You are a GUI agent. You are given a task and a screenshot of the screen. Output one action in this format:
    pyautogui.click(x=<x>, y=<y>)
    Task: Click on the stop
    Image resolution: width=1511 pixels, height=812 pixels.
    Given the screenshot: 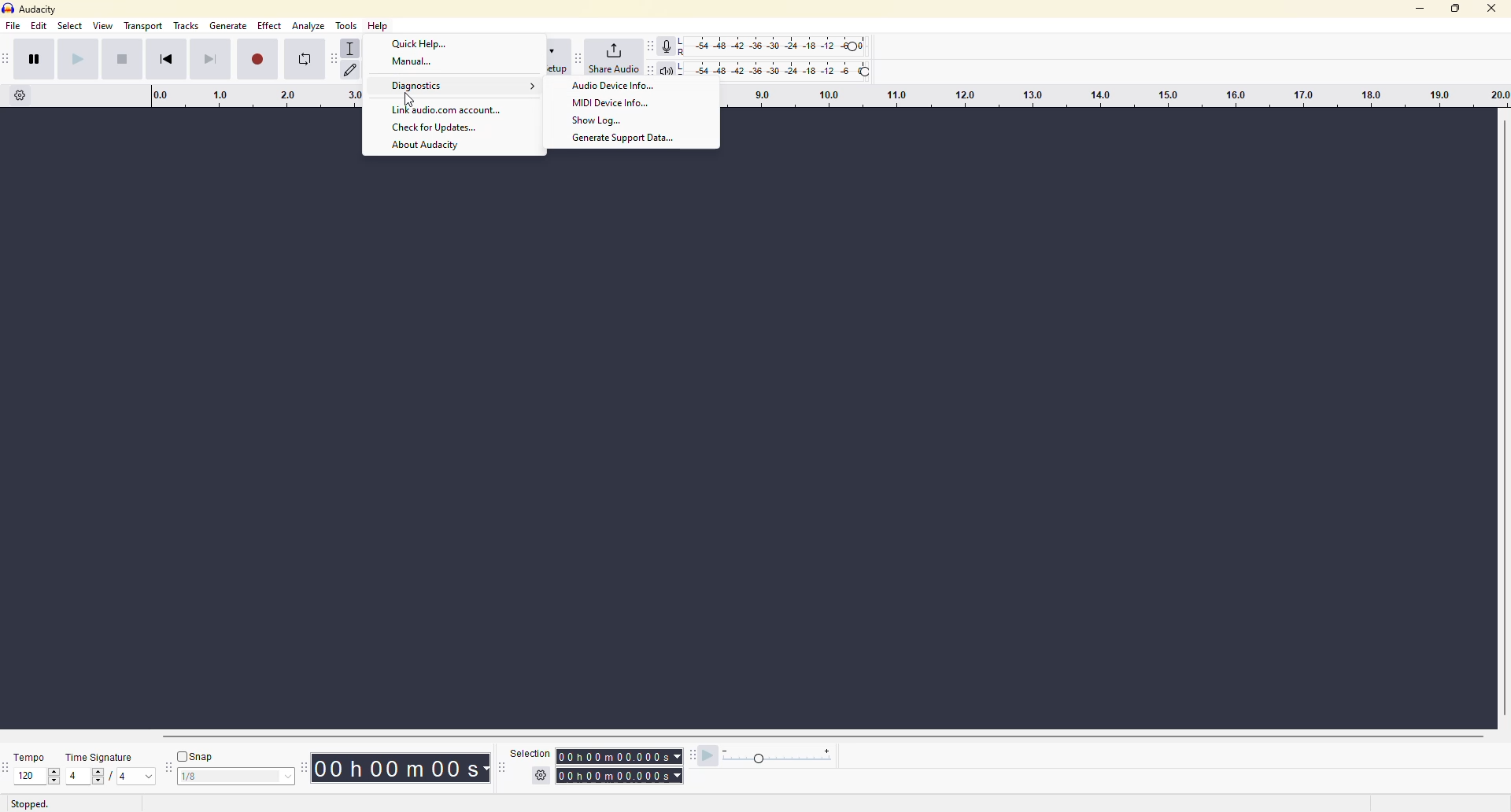 What is the action you would take?
    pyautogui.click(x=120, y=57)
    